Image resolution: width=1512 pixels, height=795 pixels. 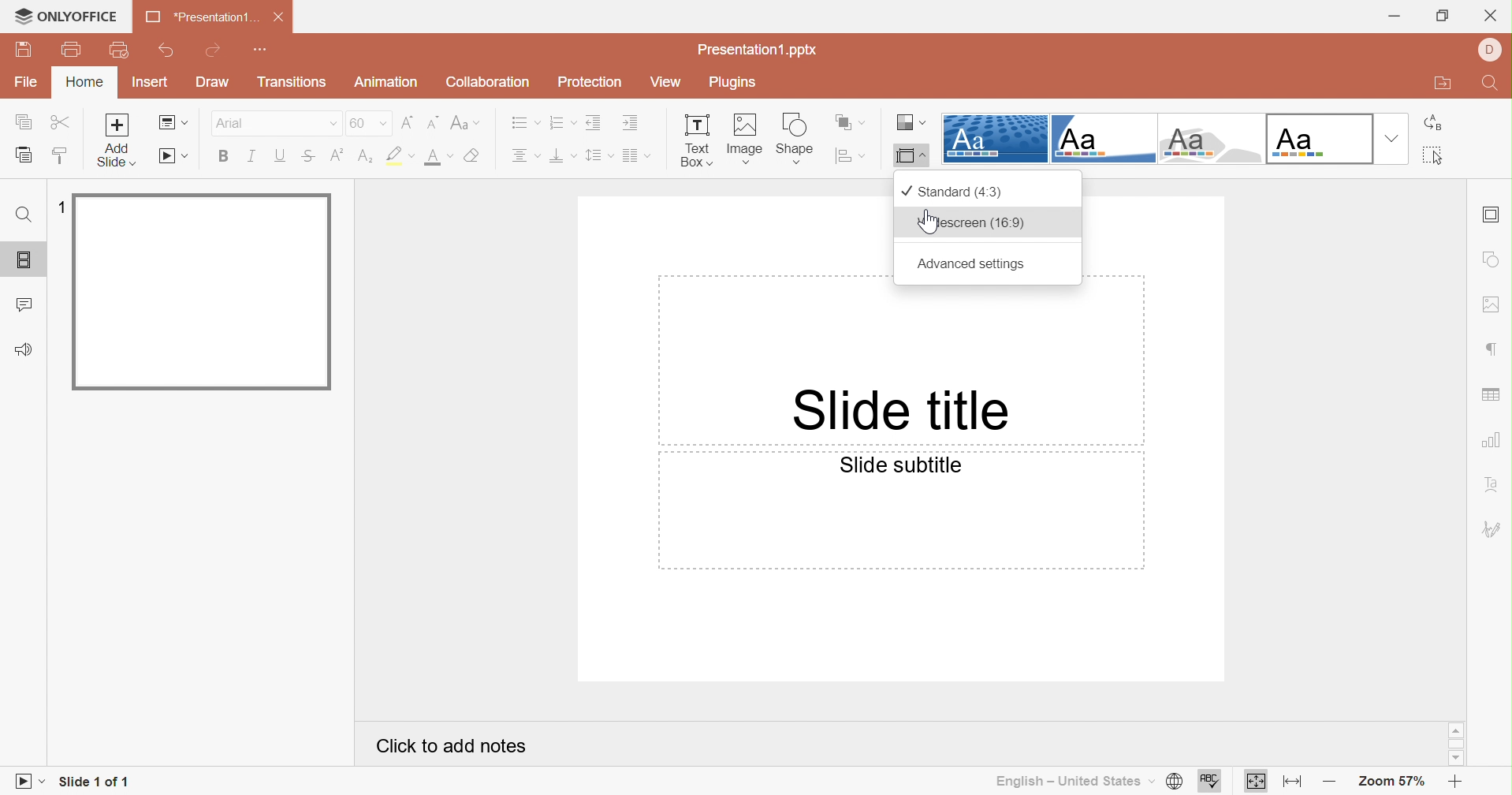 I want to click on Corner, so click(x=1102, y=138).